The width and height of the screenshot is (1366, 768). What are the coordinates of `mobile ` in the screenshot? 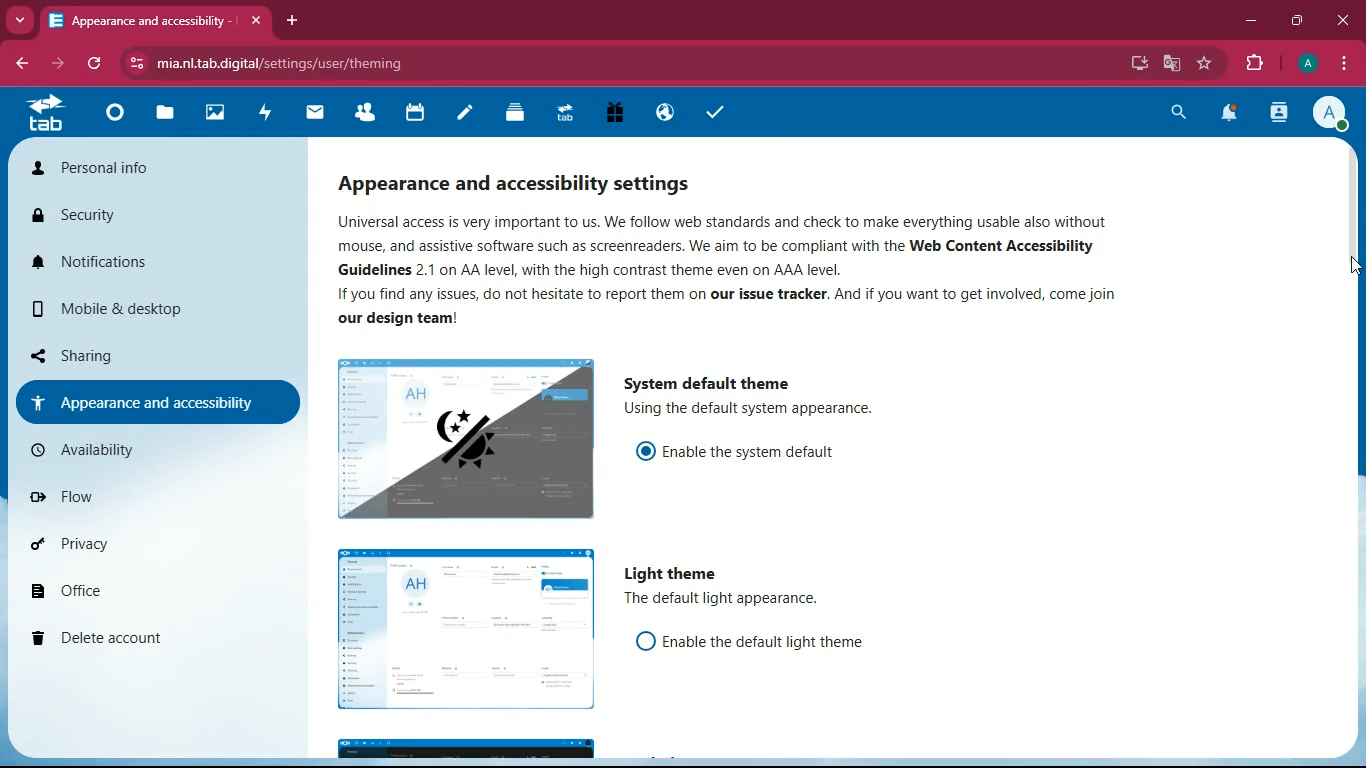 It's located at (155, 311).